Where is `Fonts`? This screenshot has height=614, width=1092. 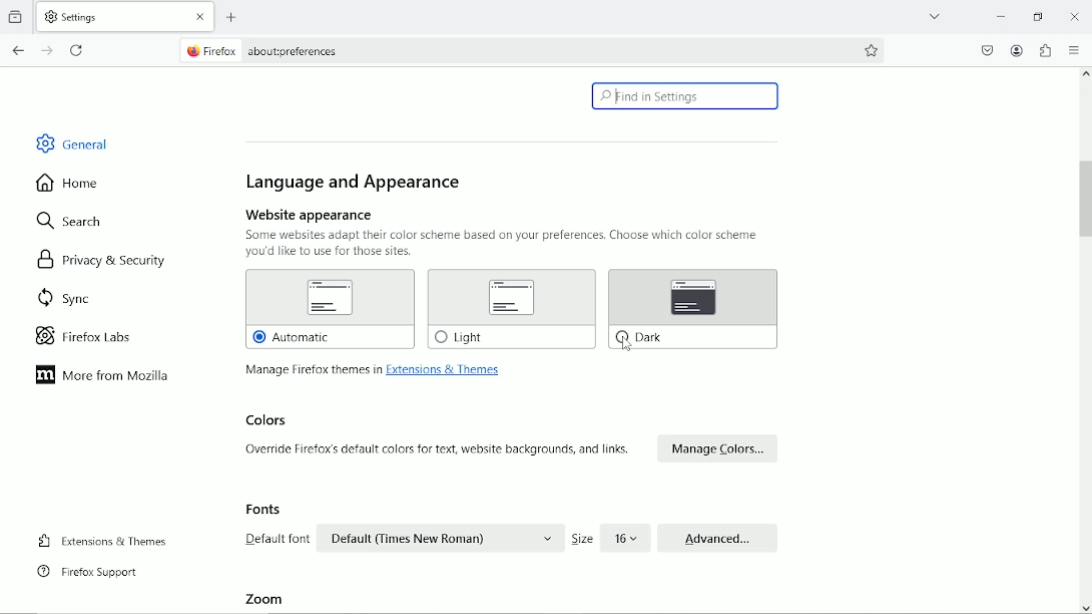
Fonts is located at coordinates (511, 527).